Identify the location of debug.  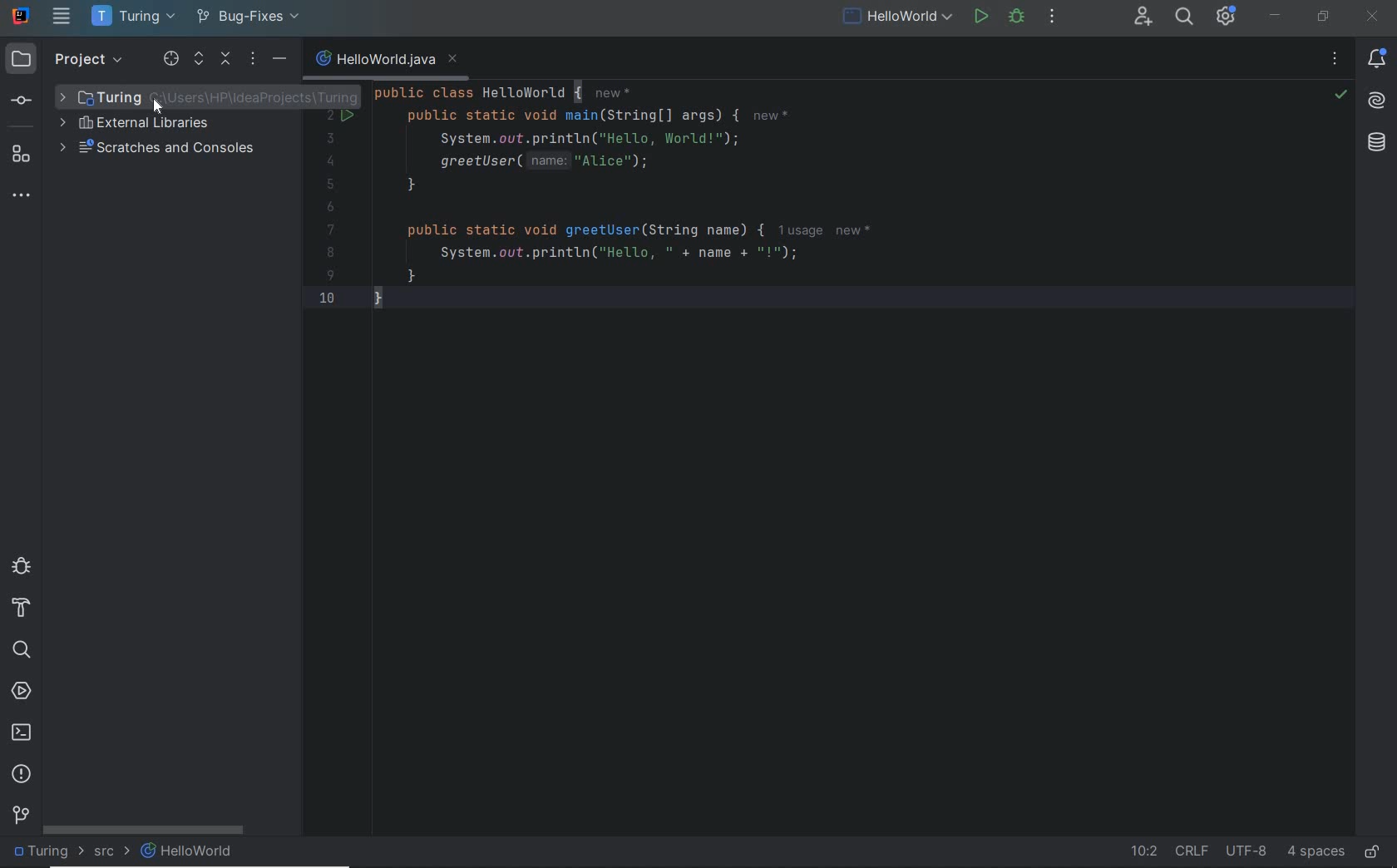
(21, 566).